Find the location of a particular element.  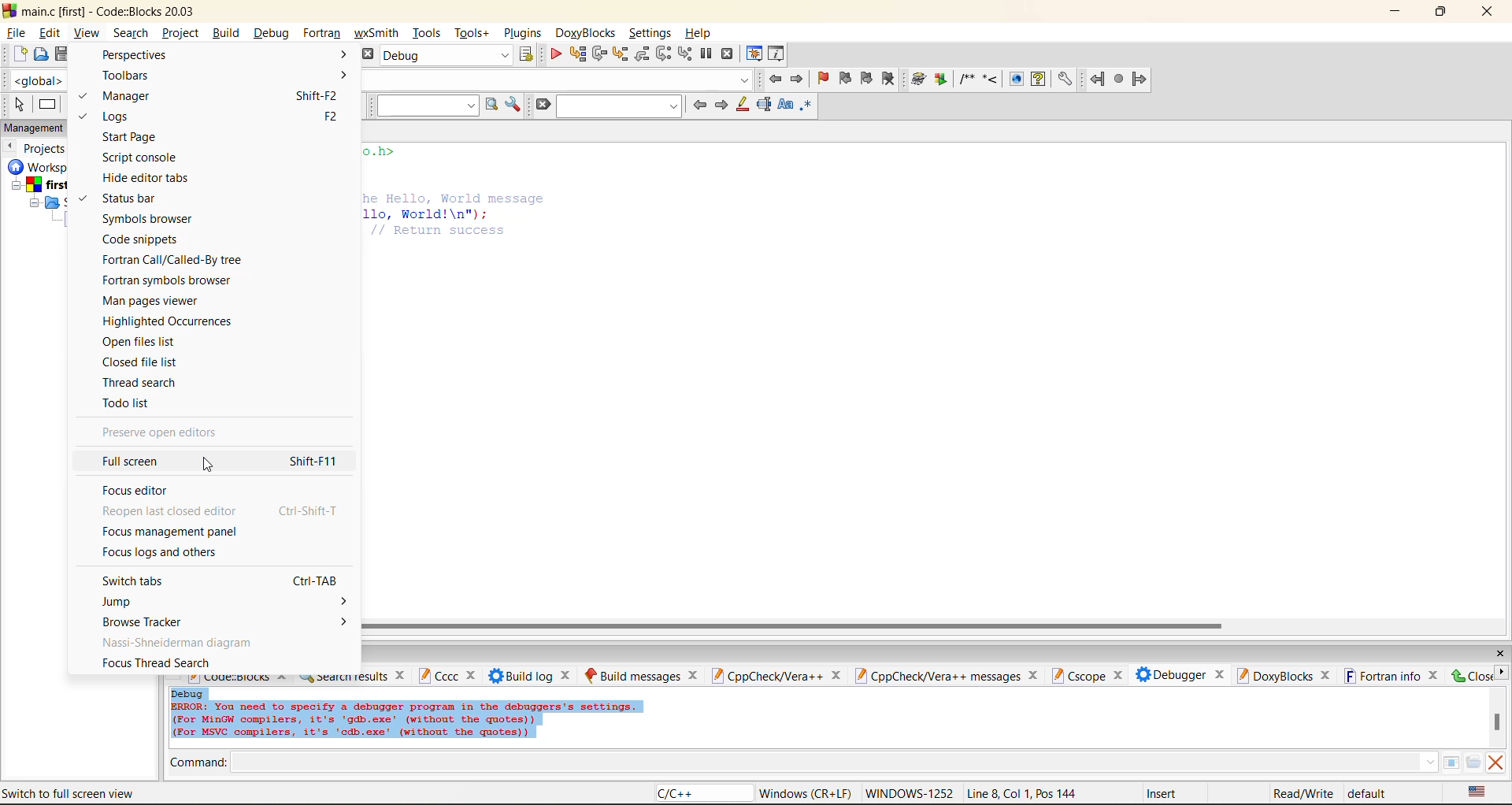

Jump back is located at coordinates (1095, 80).